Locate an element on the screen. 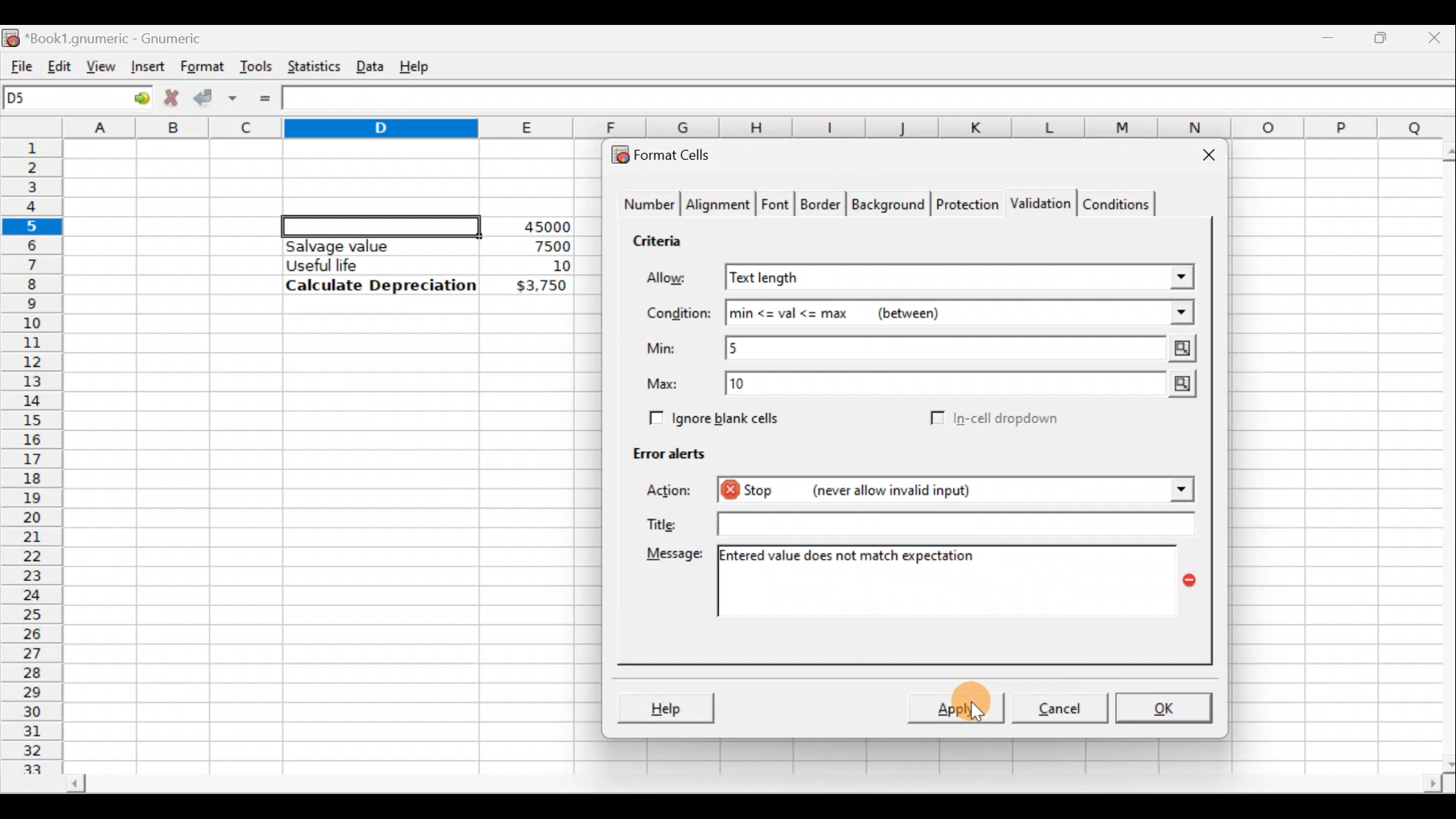 The height and width of the screenshot is (819, 1456). Alignment is located at coordinates (719, 206).